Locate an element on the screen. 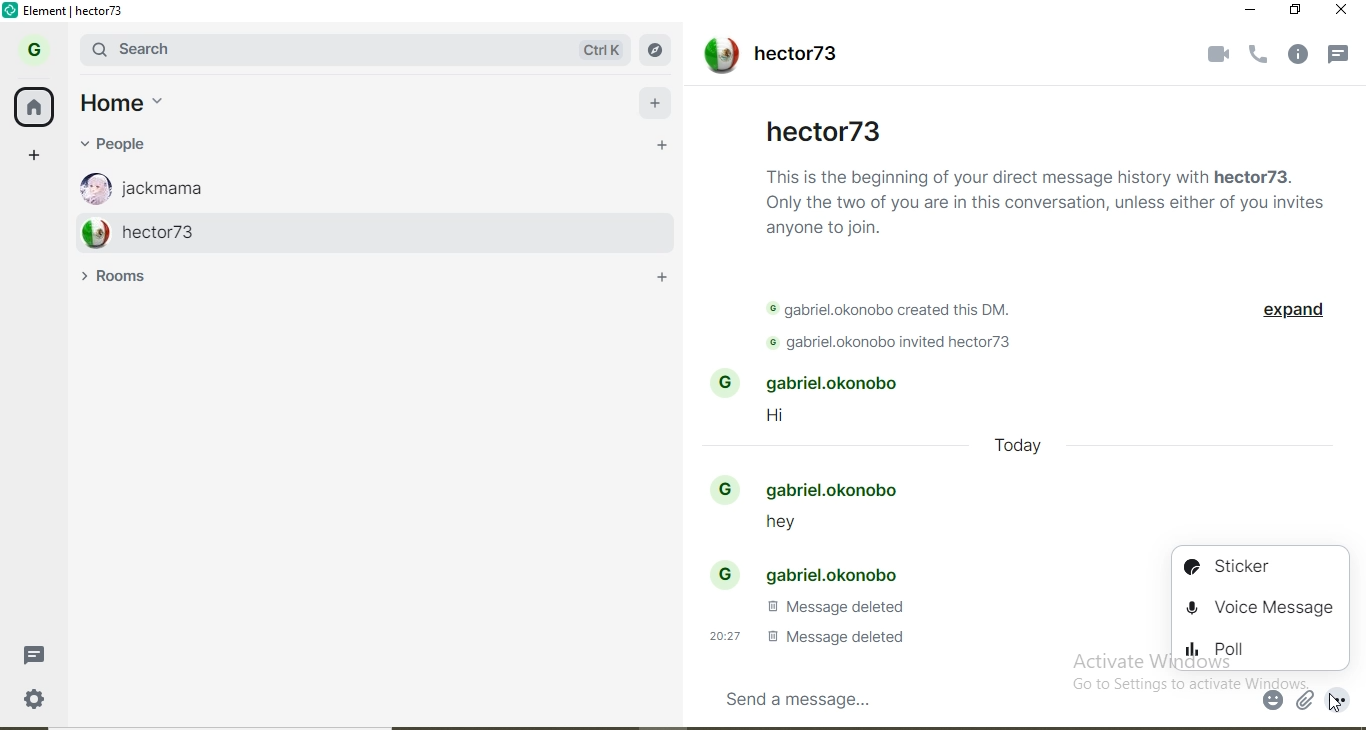 The image size is (1366, 730). home is located at coordinates (137, 104).